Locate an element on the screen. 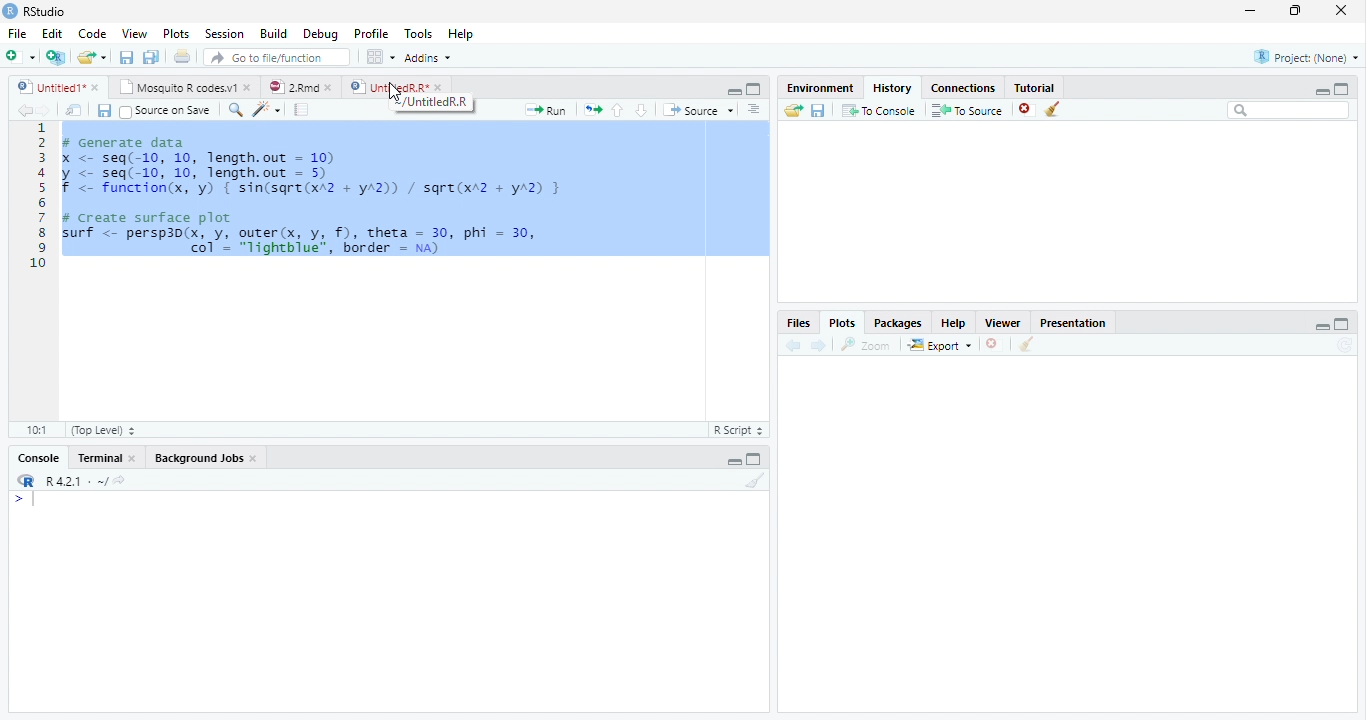 This screenshot has height=720, width=1366. close is located at coordinates (248, 87).